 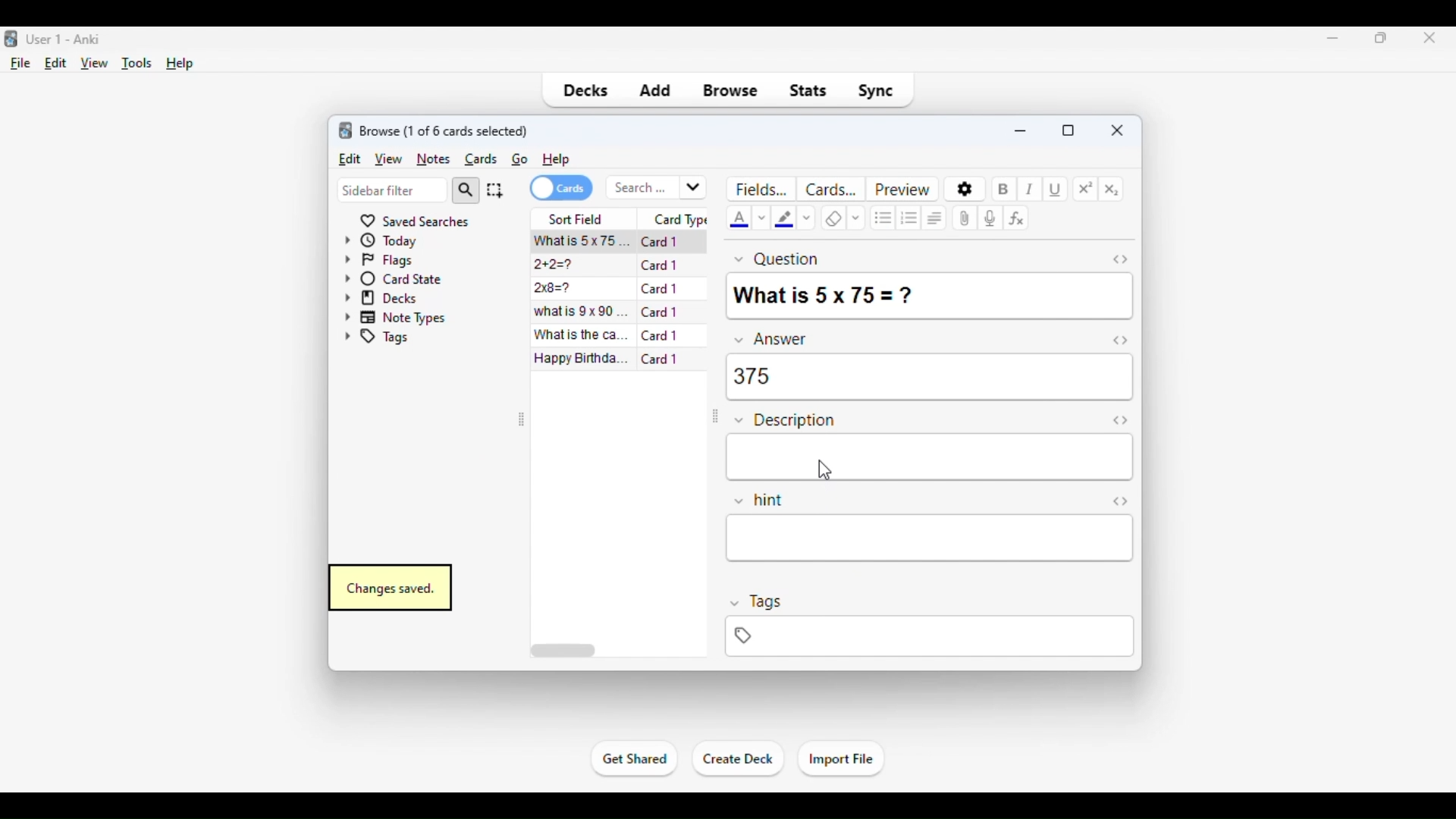 What do you see at coordinates (381, 298) in the screenshot?
I see `decks` at bounding box center [381, 298].